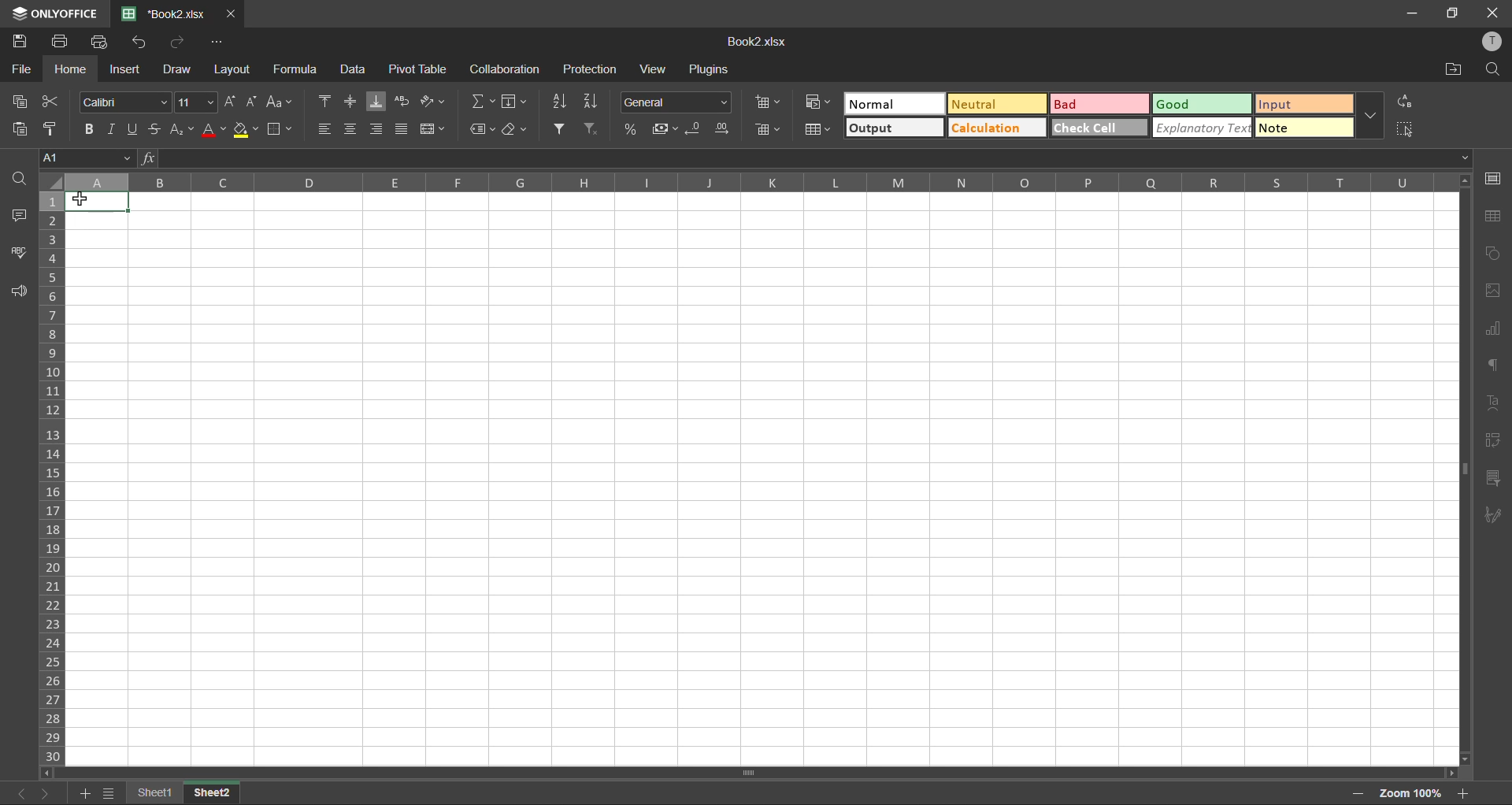 The width and height of the screenshot is (1512, 805). What do you see at coordinates (421, 69) in the screenshot?
I see `pivot table` at bounding box center [421, 69].